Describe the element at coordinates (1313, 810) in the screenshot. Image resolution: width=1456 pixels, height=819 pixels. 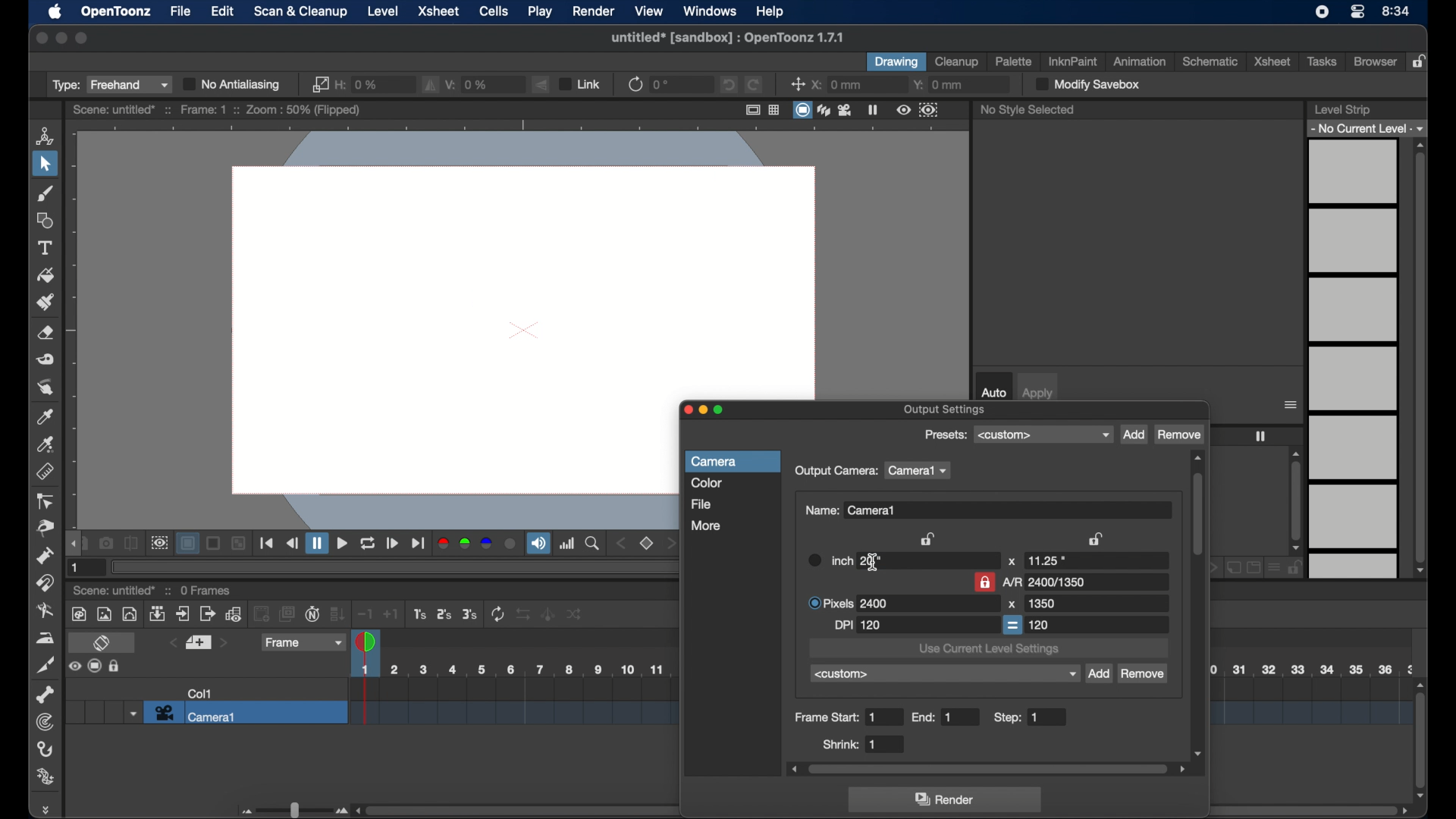
I see `scroll bar` at that location.